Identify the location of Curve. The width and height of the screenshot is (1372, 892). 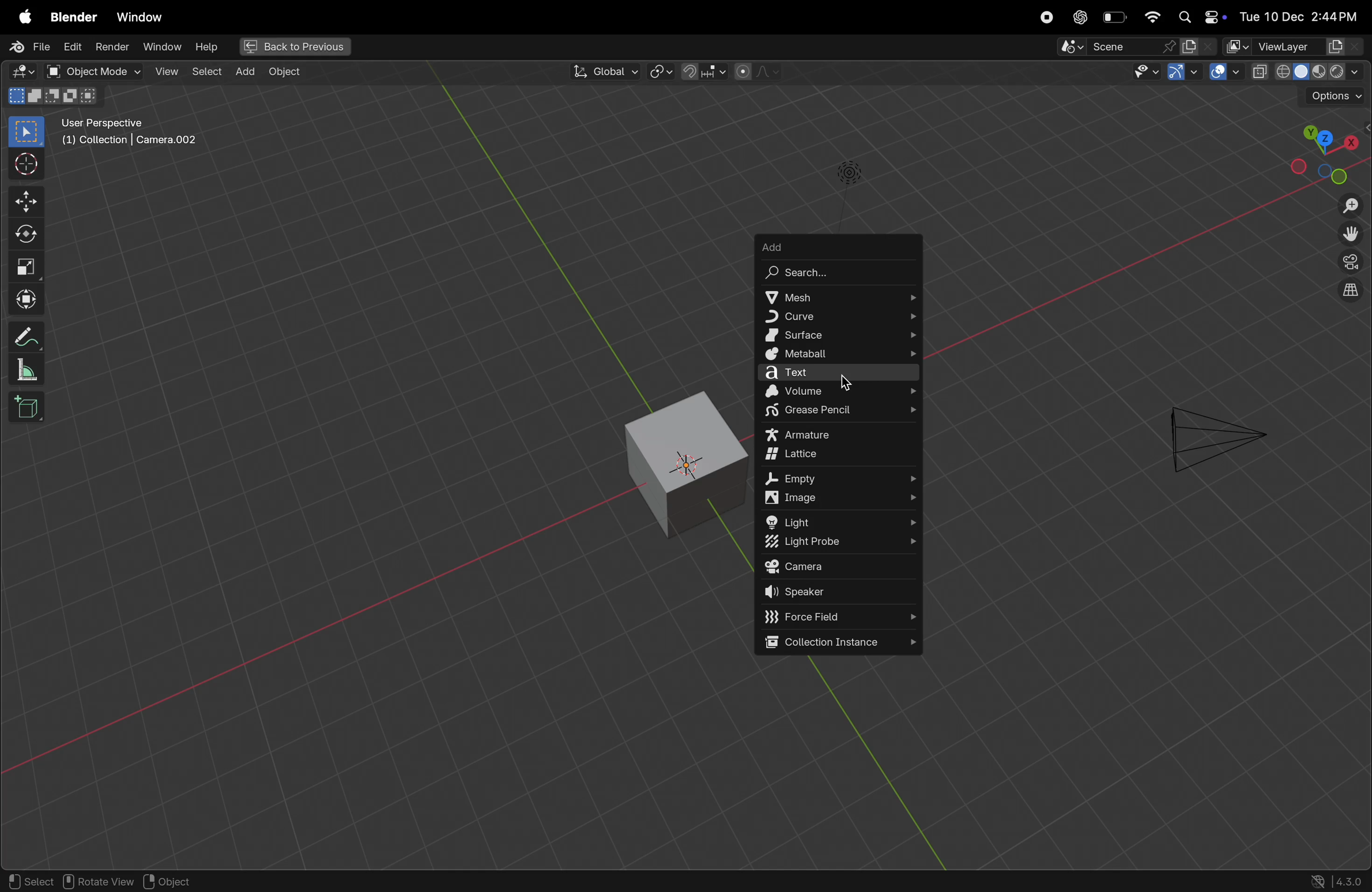
(838, 317).